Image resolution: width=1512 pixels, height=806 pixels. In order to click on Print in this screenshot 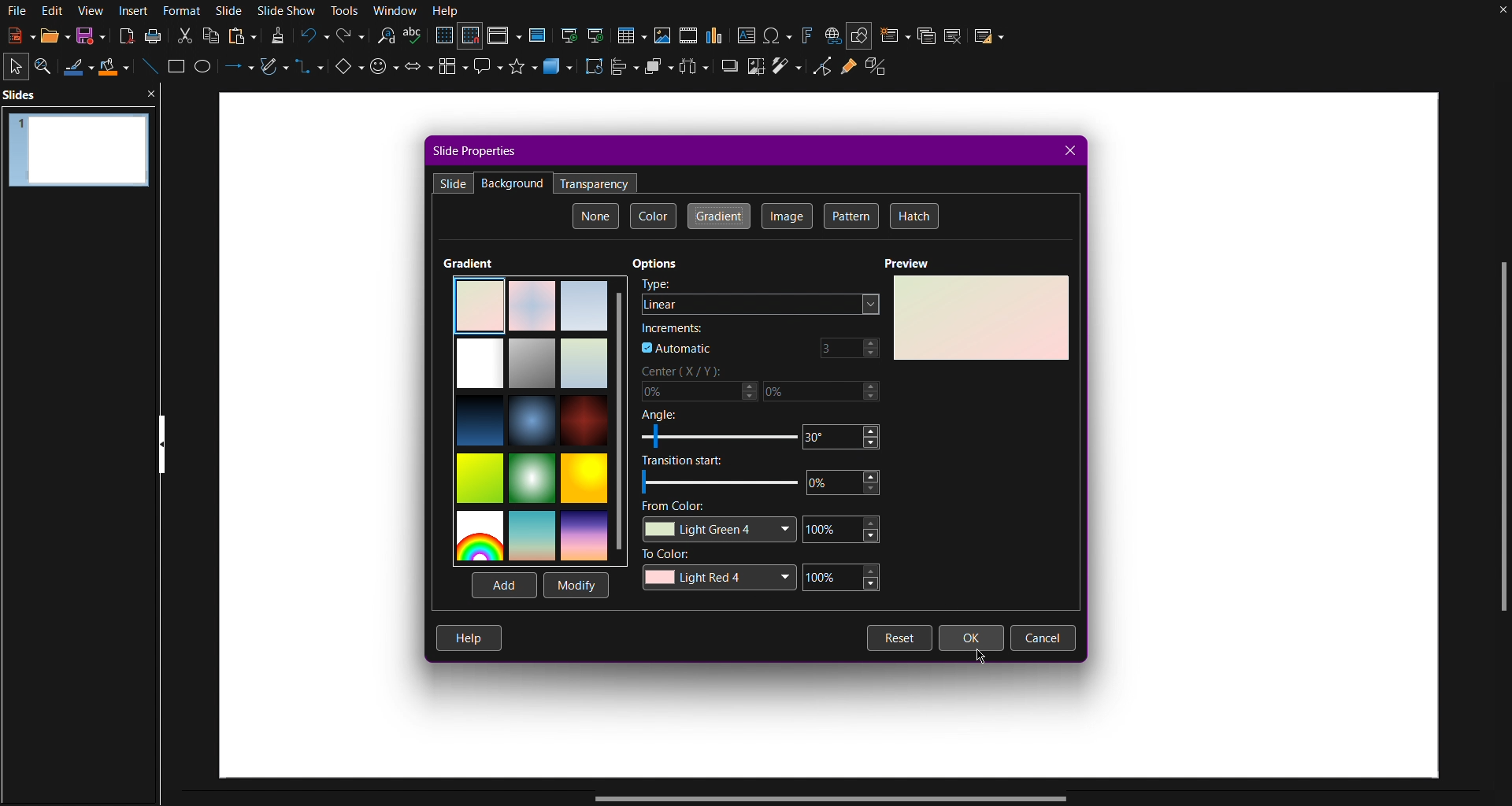, I will do `click(153, 36)`.